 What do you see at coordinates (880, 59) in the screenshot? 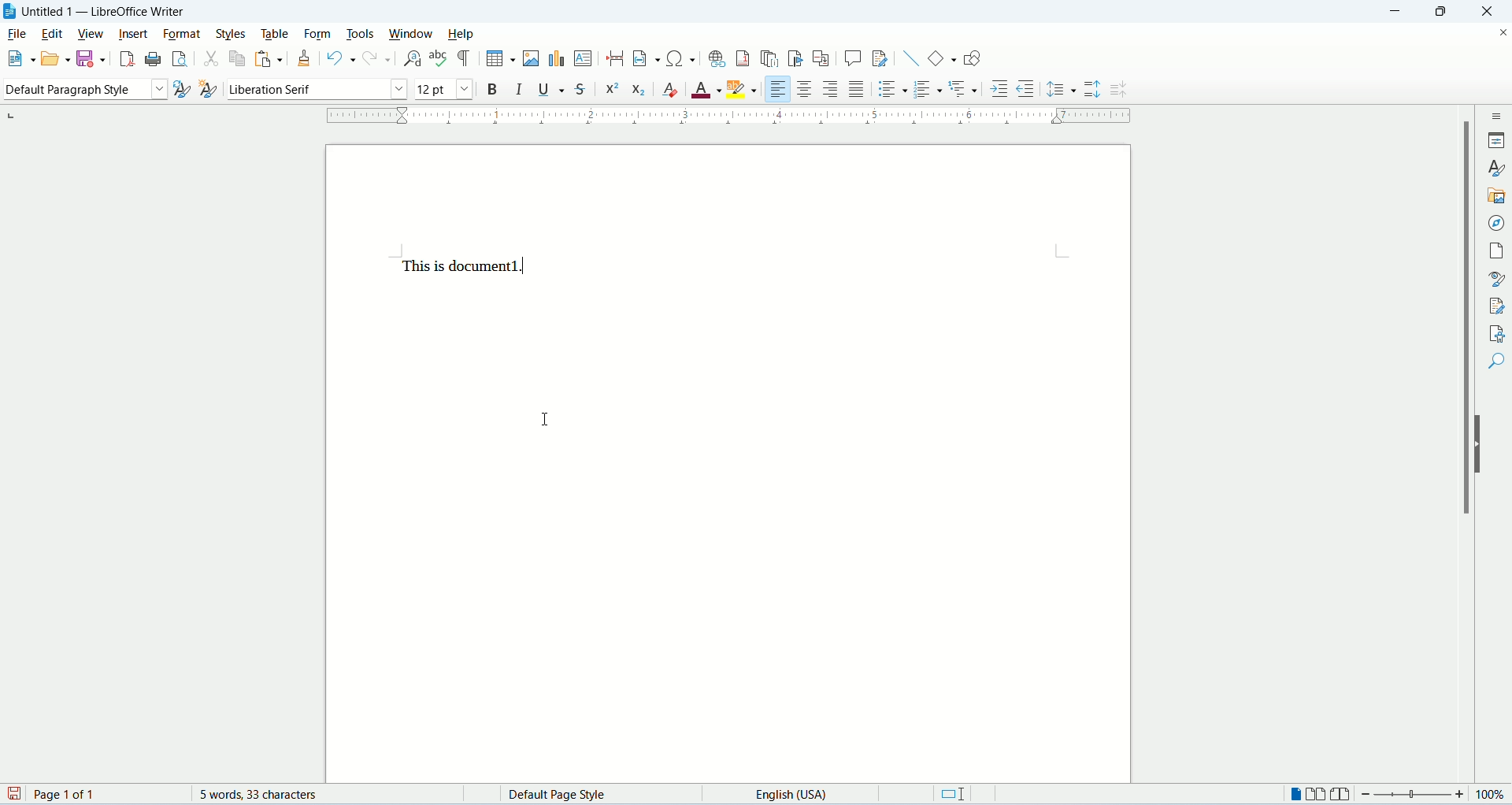
I see `show track changes` at bounding box center [880, 59].